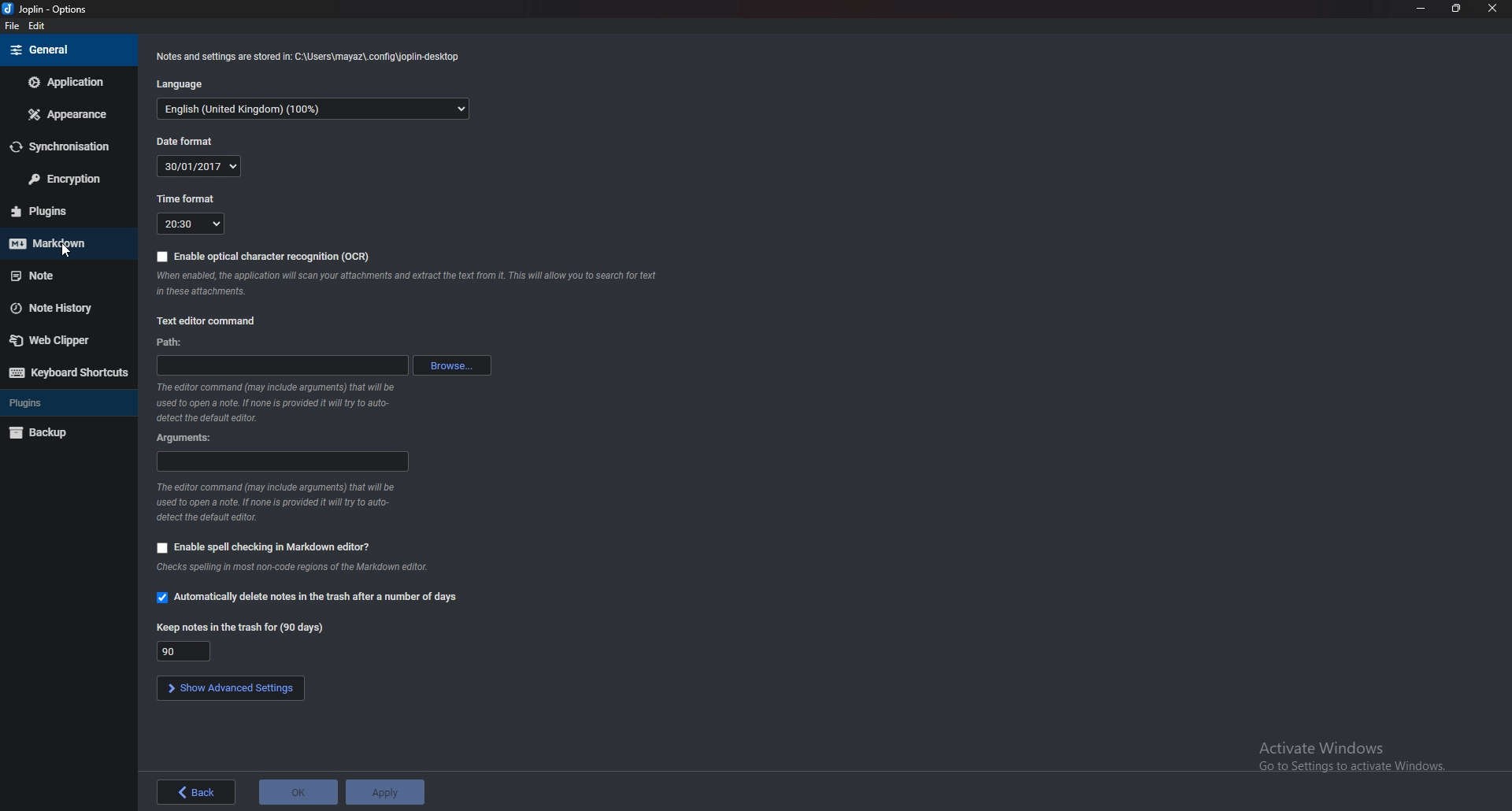 The width and height of the screenshot is (1512, 811). Describe the element at coordinates (63, 146) in the screenshot. I see `sync` at that location.